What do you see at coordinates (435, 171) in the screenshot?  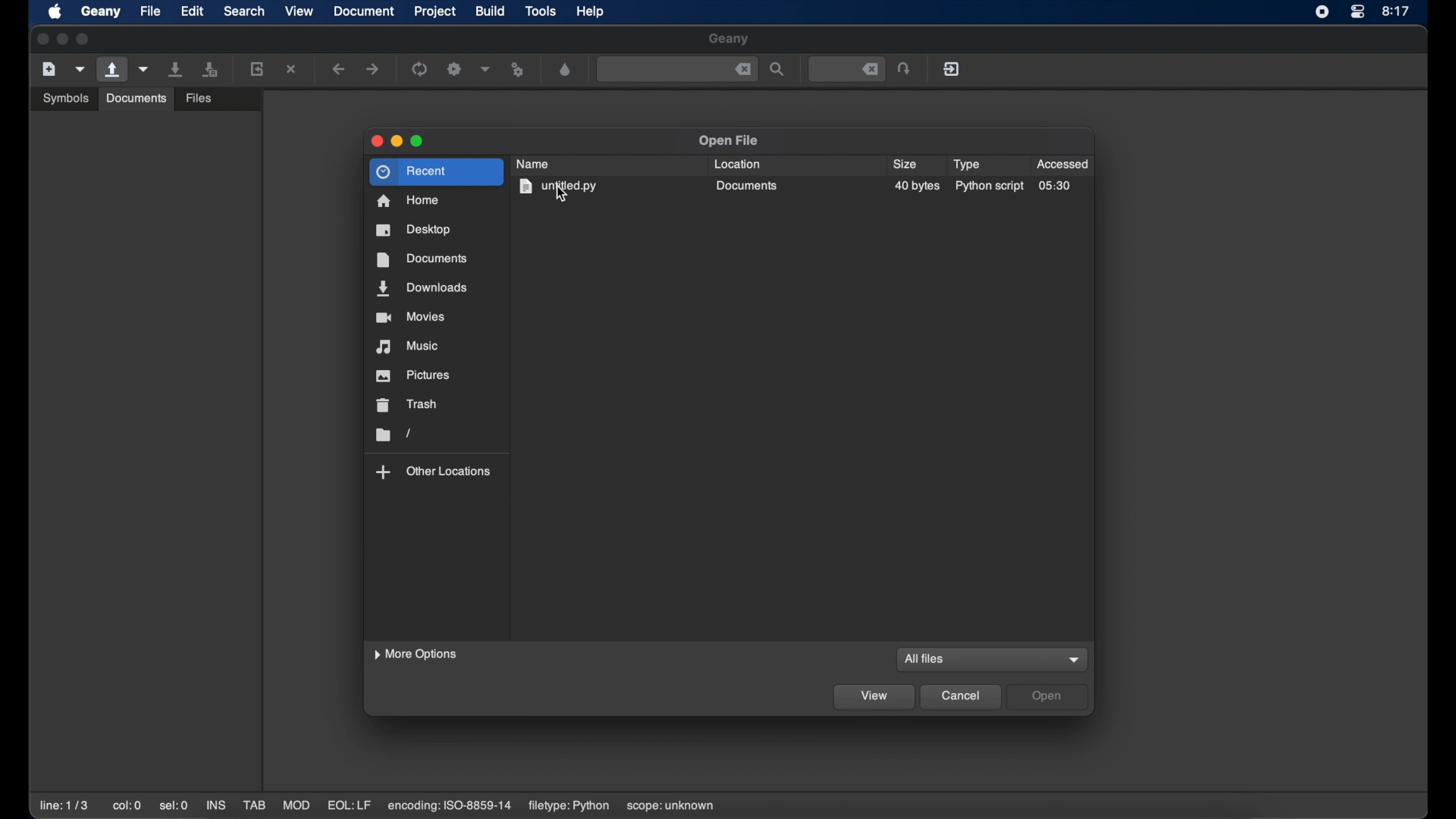 I see `recent highlighted` at bounding box center [435, 171].